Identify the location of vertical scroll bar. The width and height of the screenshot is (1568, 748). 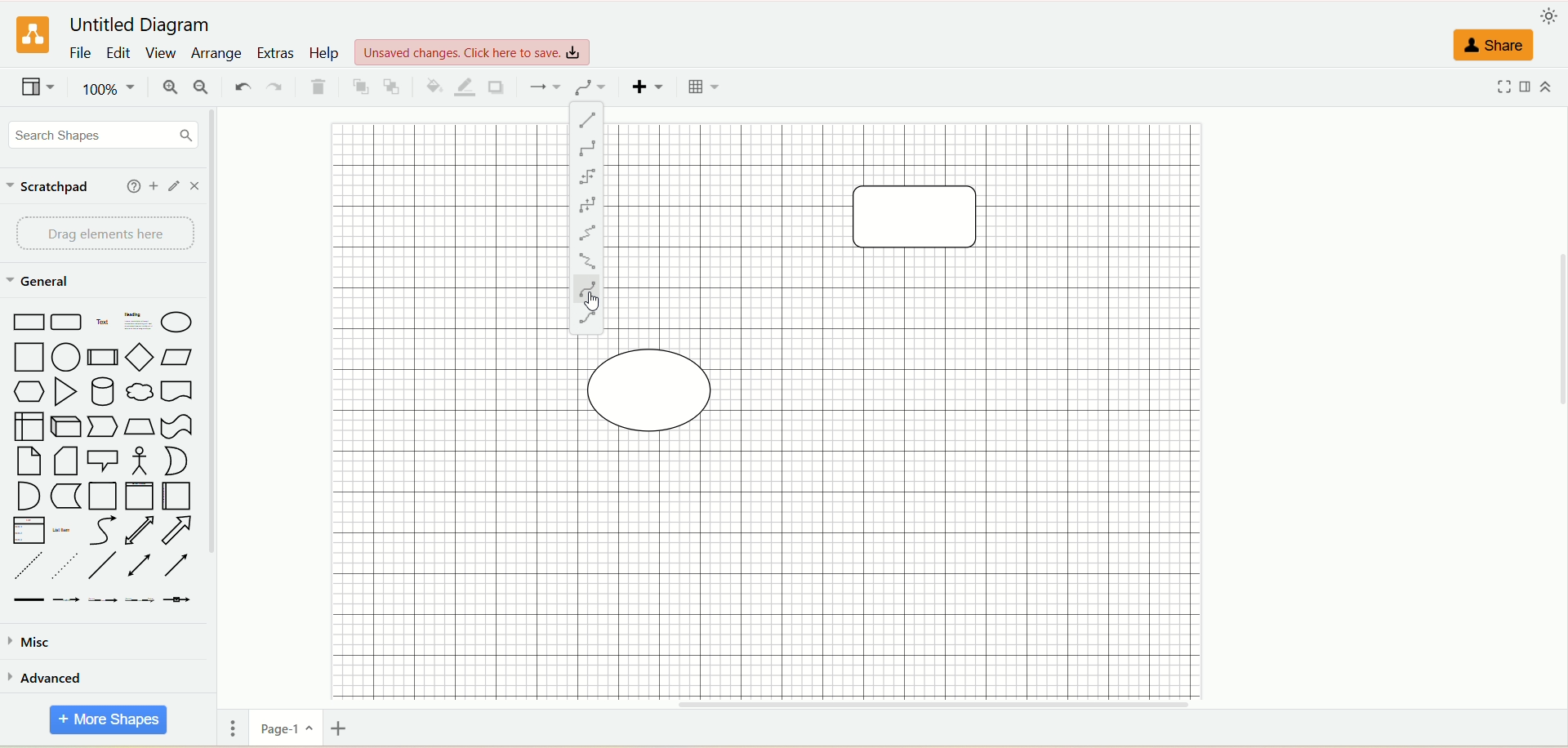
(222, 401).